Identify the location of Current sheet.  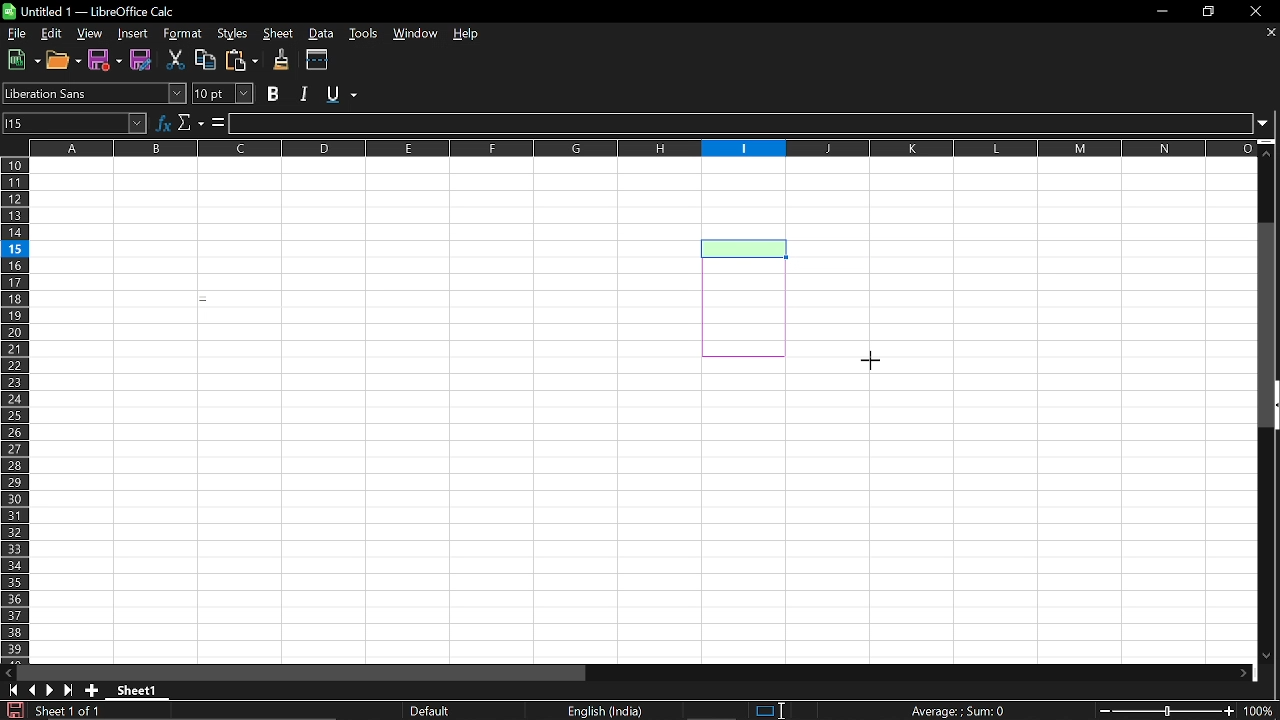
(136, 690).